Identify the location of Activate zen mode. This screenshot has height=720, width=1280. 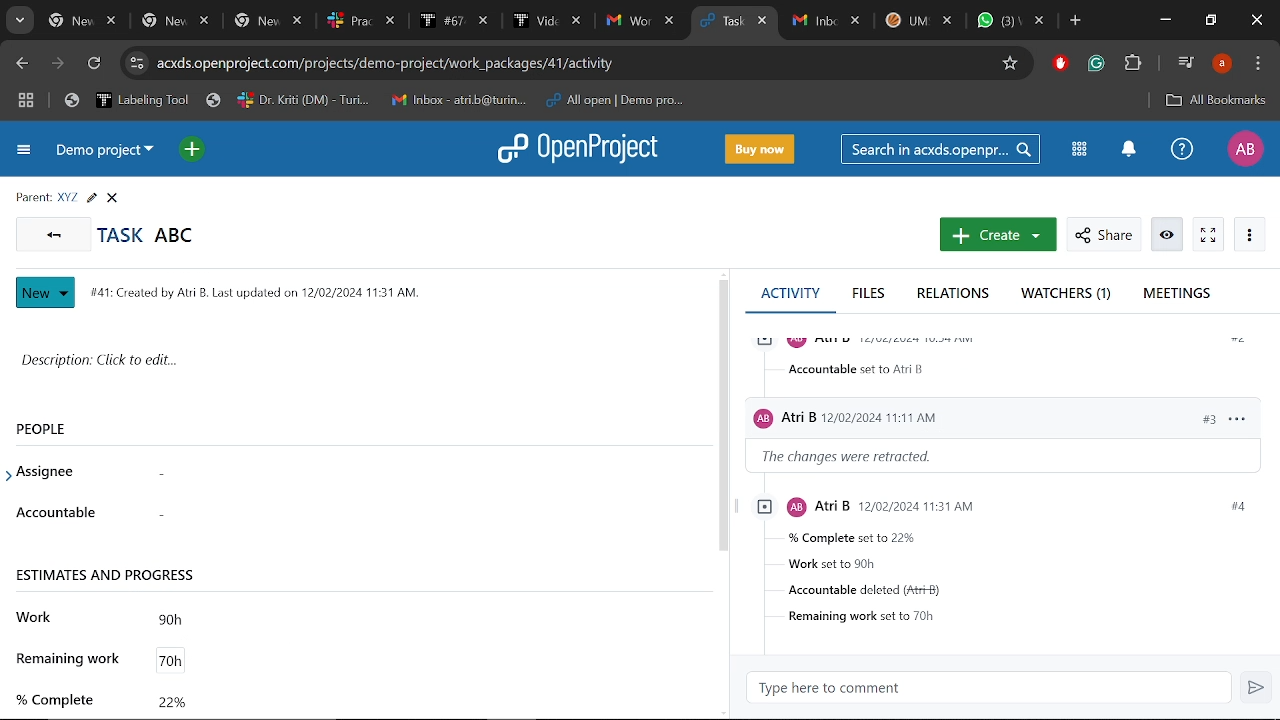
(1208, 235).